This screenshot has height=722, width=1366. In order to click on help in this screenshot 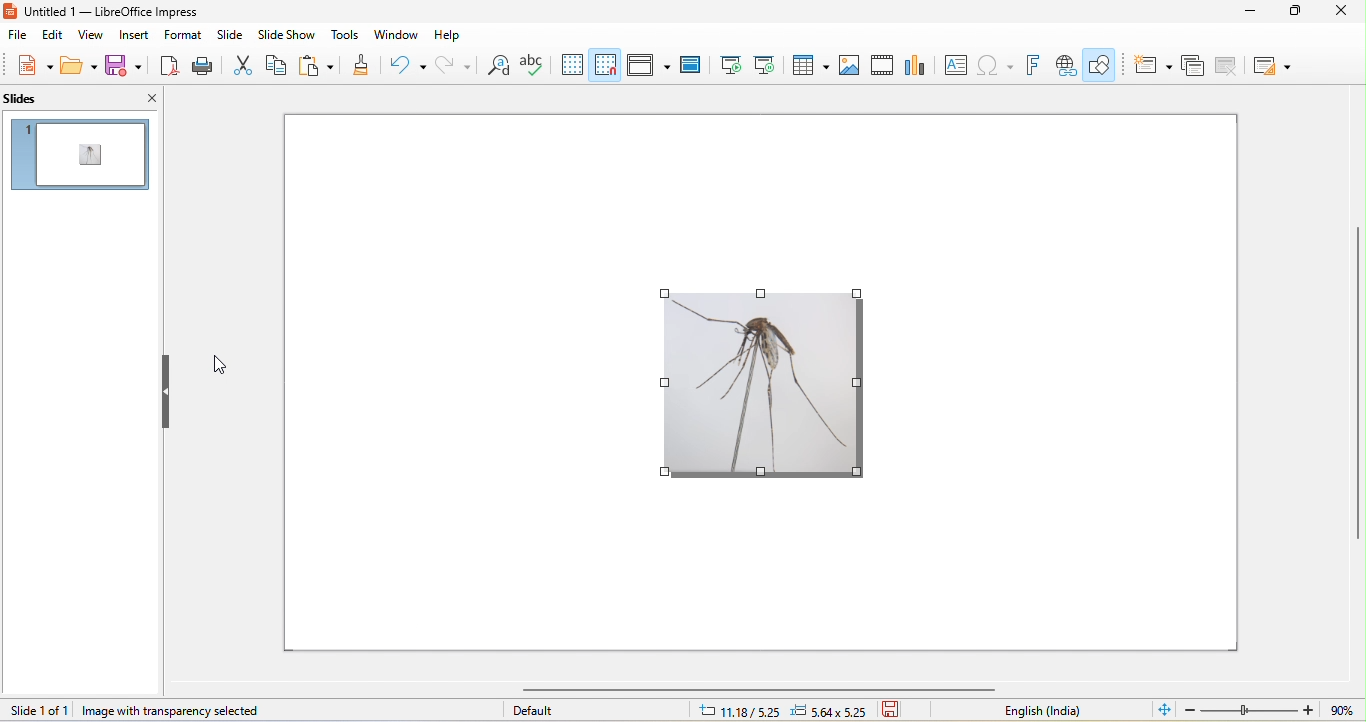, I will do `click(447, 35)`.